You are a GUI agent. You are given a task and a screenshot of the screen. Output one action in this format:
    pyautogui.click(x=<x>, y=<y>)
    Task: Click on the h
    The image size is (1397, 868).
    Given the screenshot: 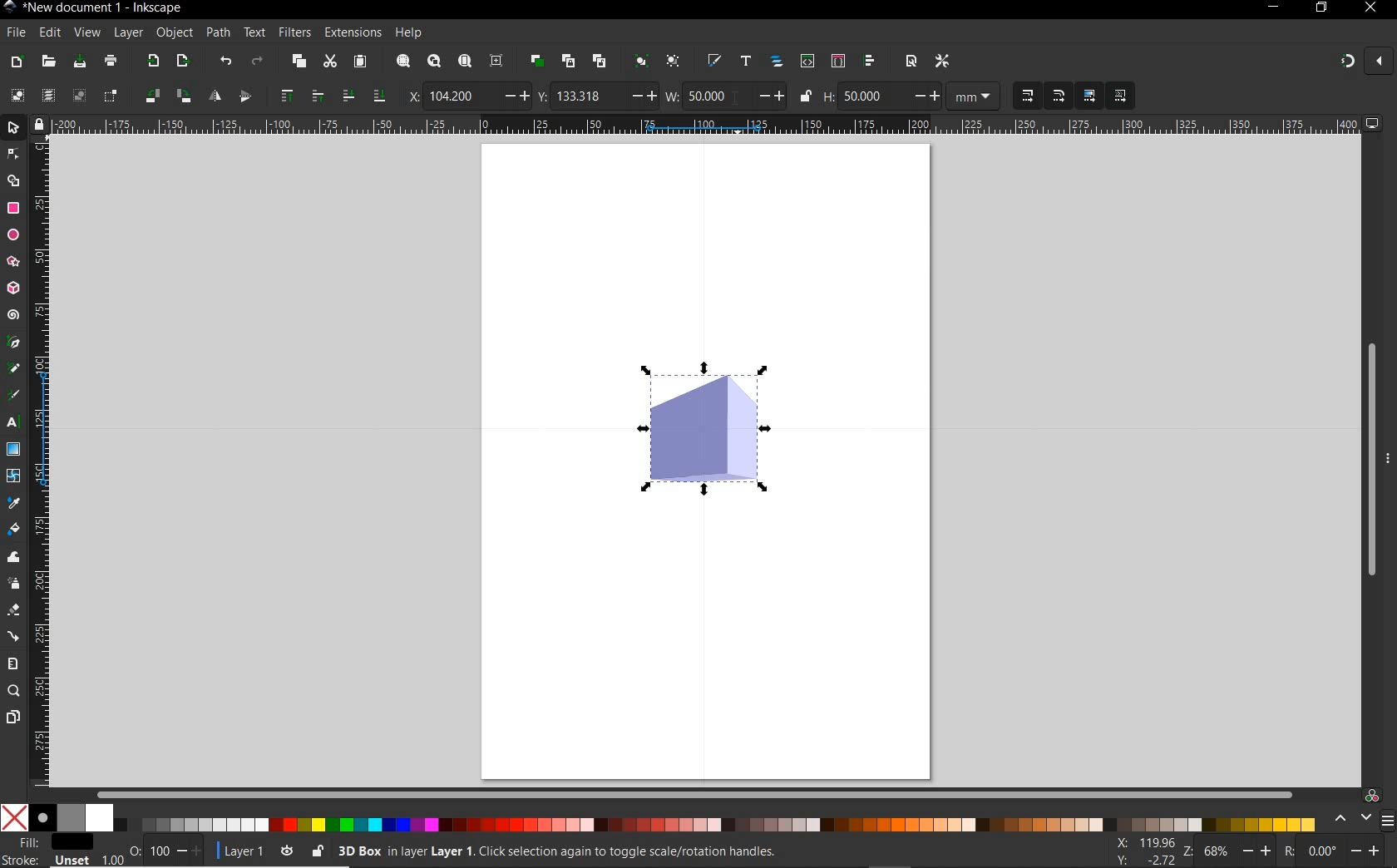 What is the action you would take?
    pyautogui.click(x=828, y=96)
    